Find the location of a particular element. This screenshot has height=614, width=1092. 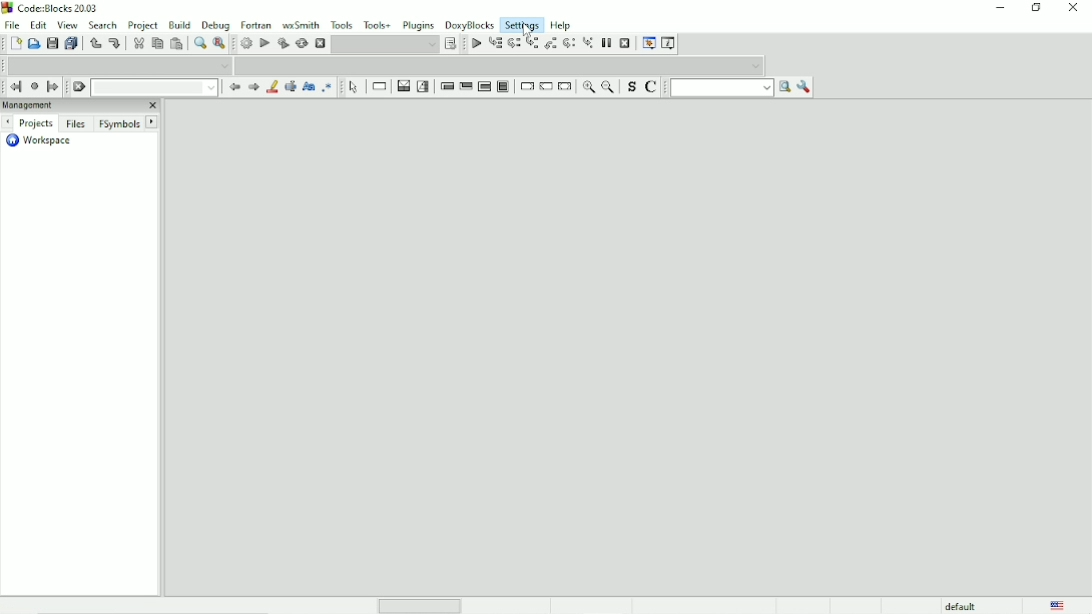

Highlight is located at coordinates (272, 87).